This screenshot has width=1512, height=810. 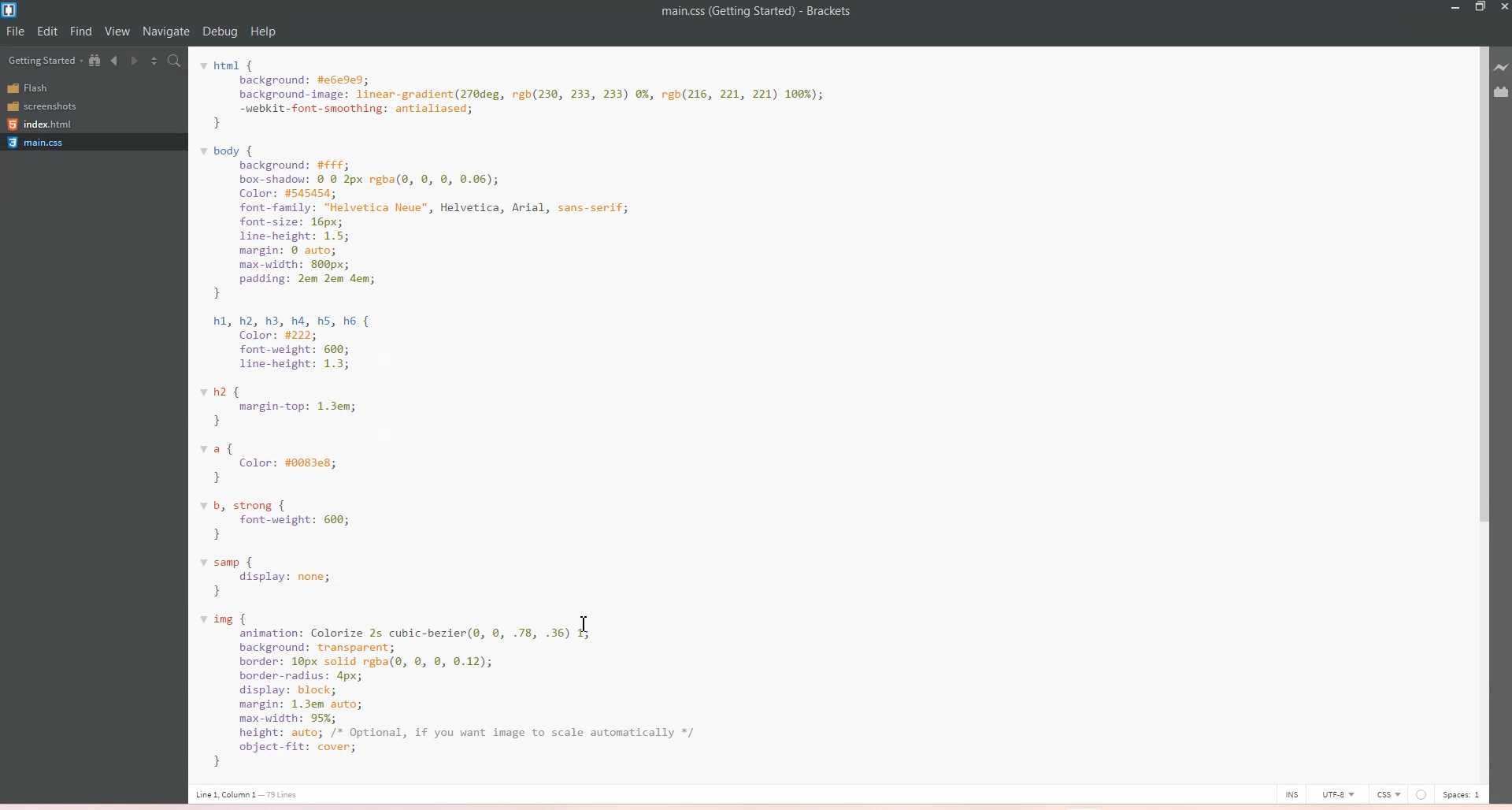 I want to click on help, so click(x=264, y=32).